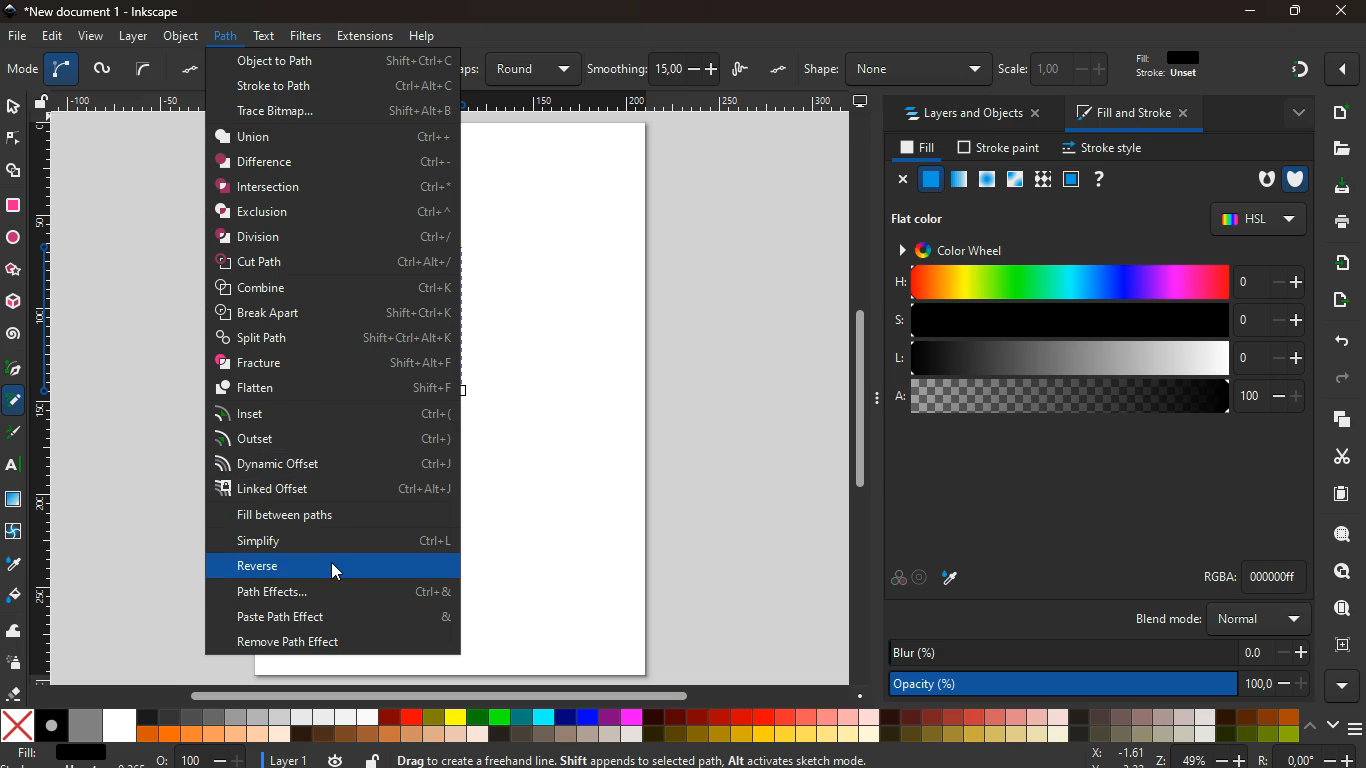 The height and width of the screenshot is (768, 1366). I want to click on more, so click(1294, 114).